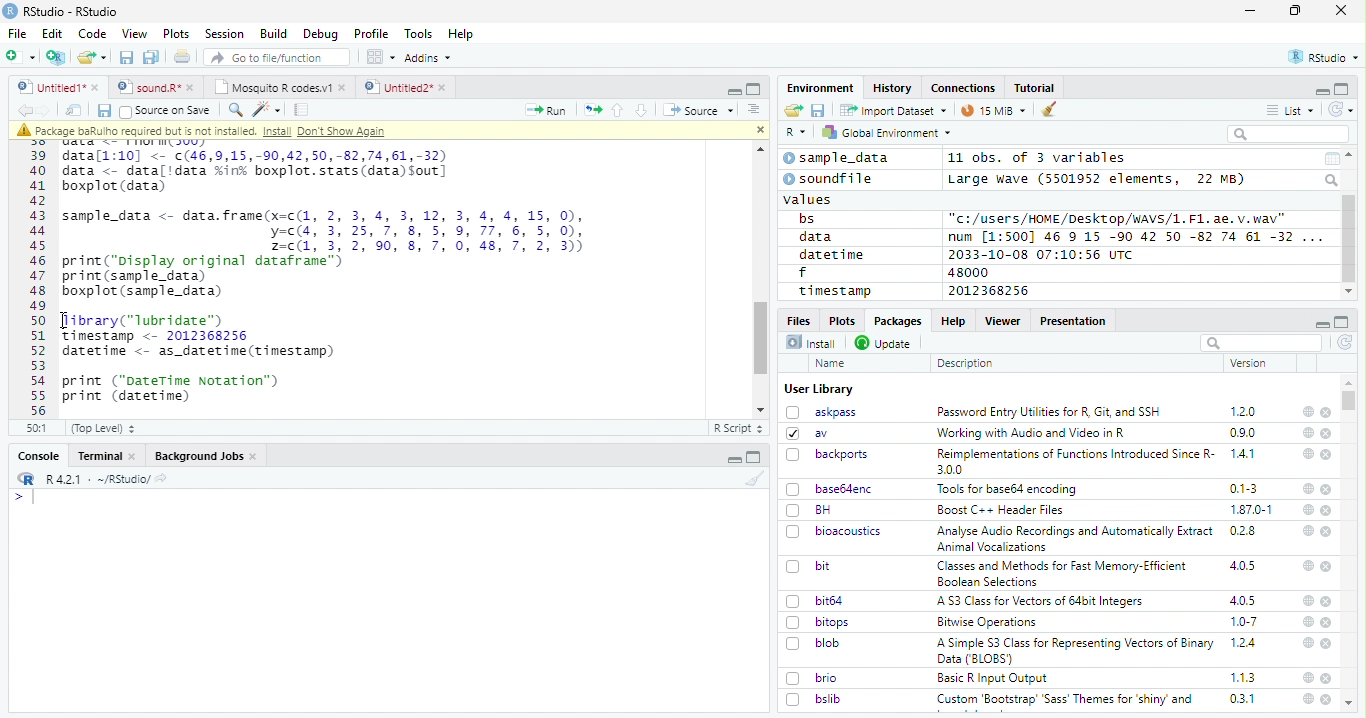  What do you see at coordinates (832, 364) in the screenshot?
I see `Name` at bounding box center [832, 364].